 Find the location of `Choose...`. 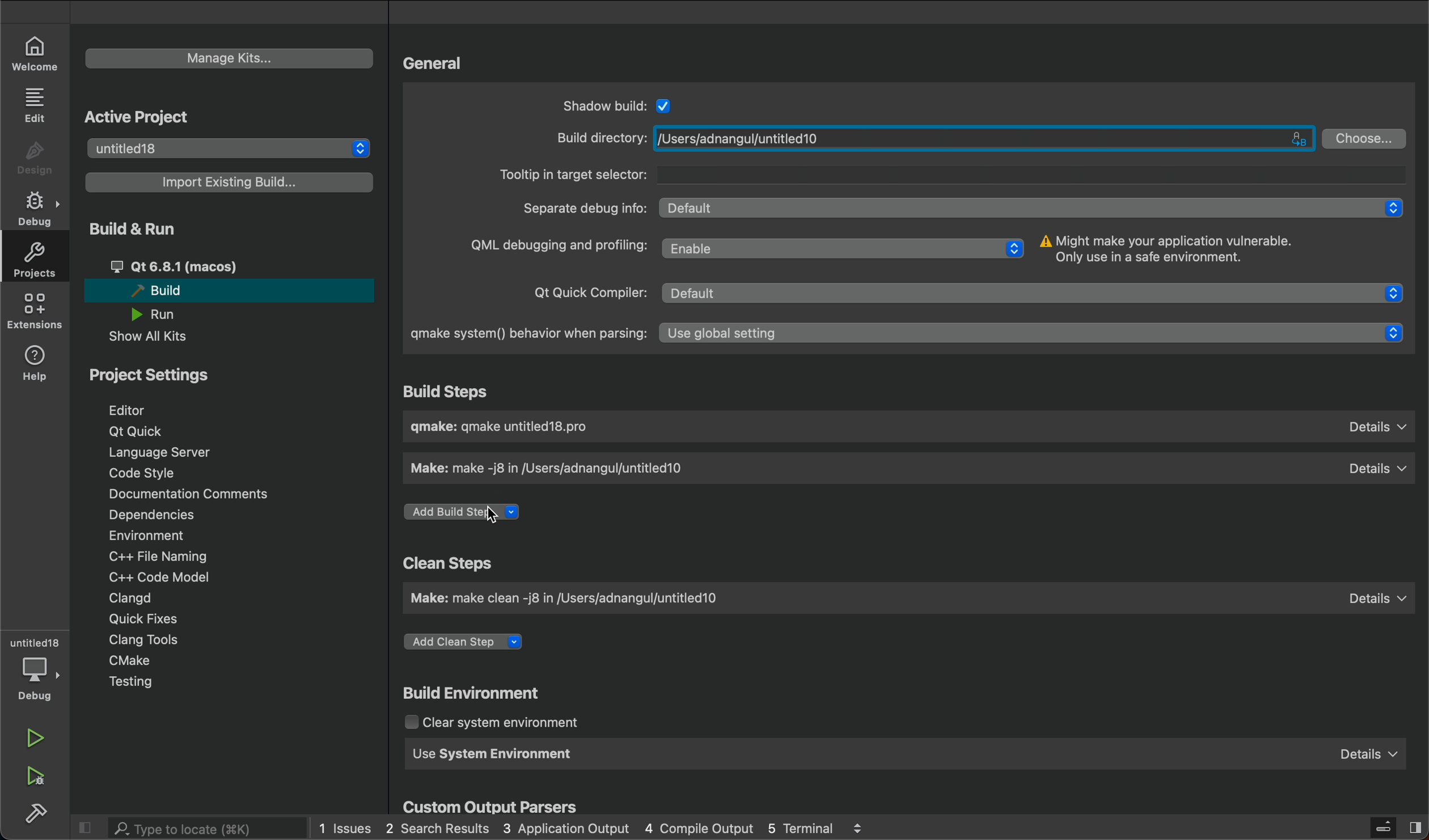

Choose... is located at coordinates (1365, 139).